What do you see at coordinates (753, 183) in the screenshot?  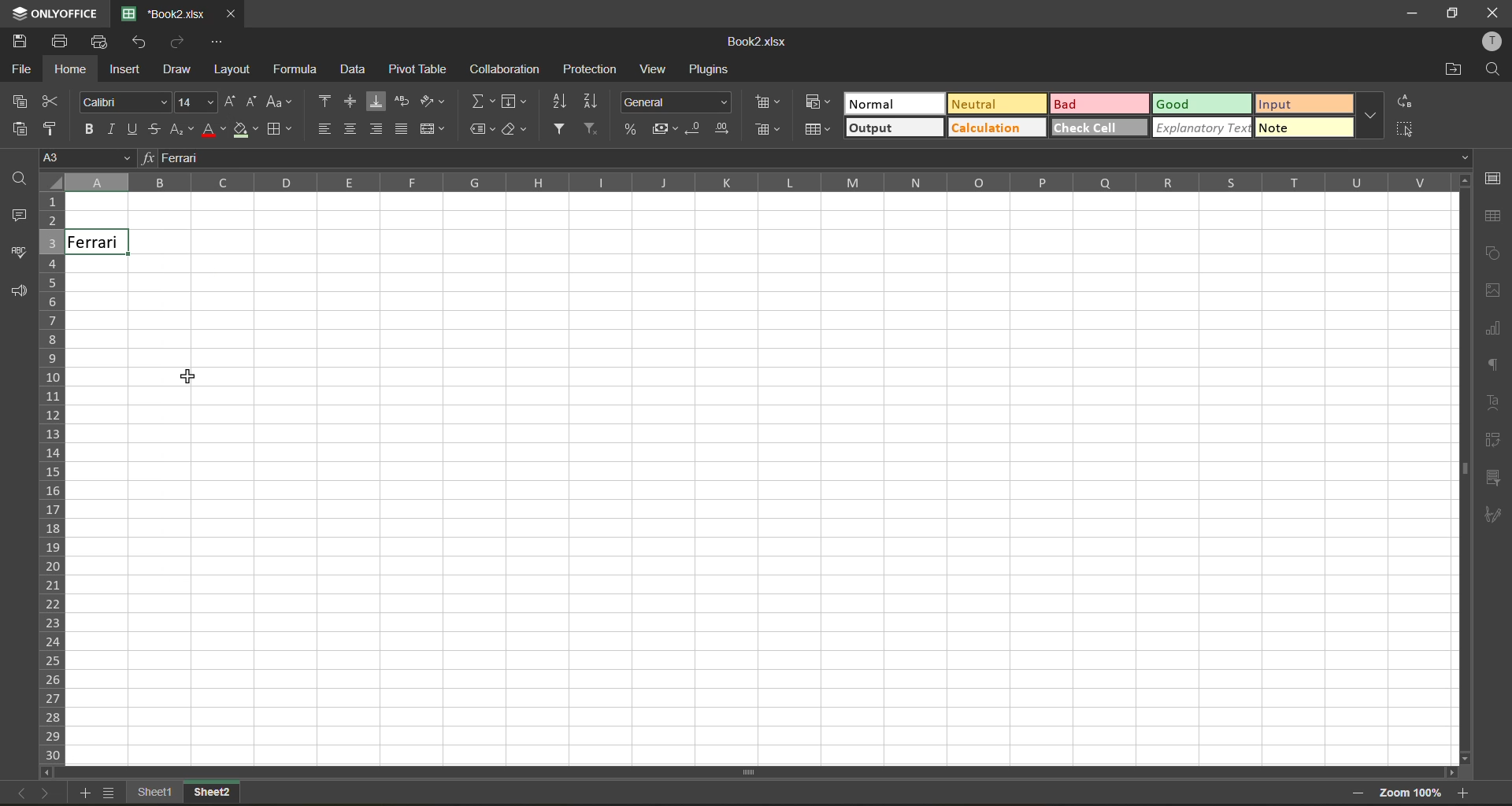 I see `column names` at bounding box center [753, 183].